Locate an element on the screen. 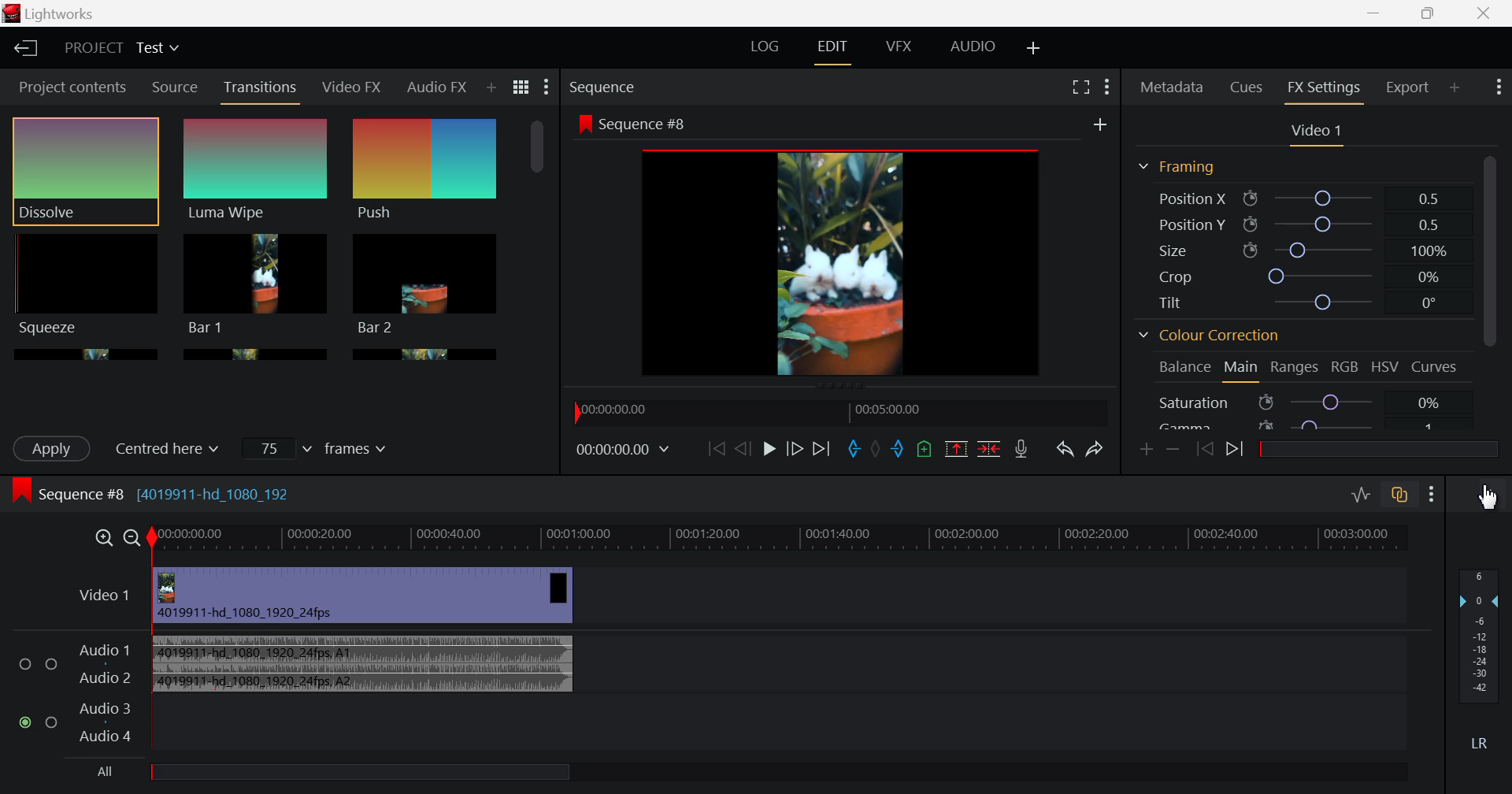  Tilt is located at coordinates (1299, 304).